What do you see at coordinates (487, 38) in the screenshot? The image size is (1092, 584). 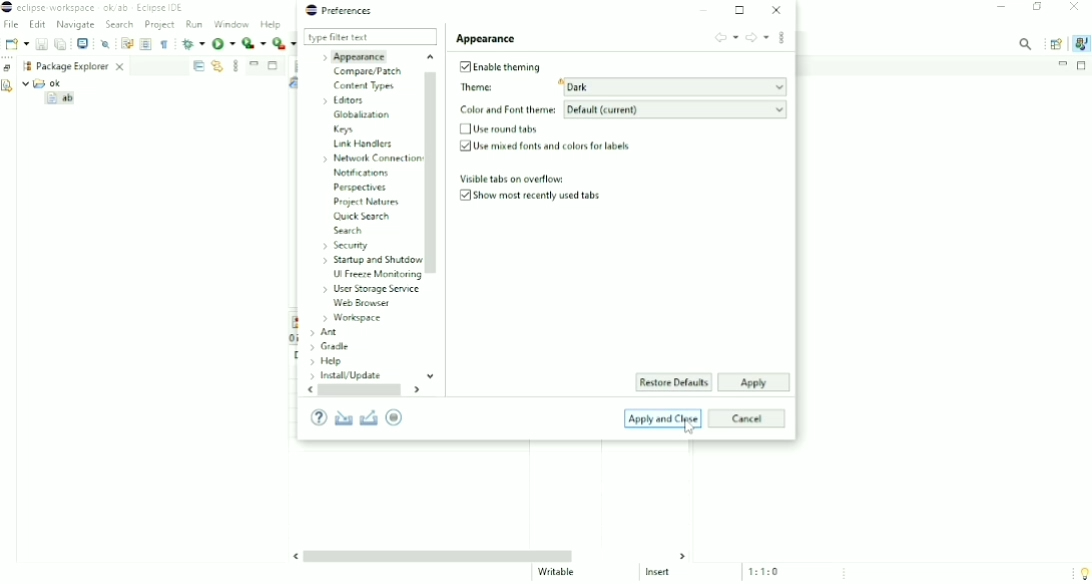 I see `Appearance` at bounding box center [487, 38].